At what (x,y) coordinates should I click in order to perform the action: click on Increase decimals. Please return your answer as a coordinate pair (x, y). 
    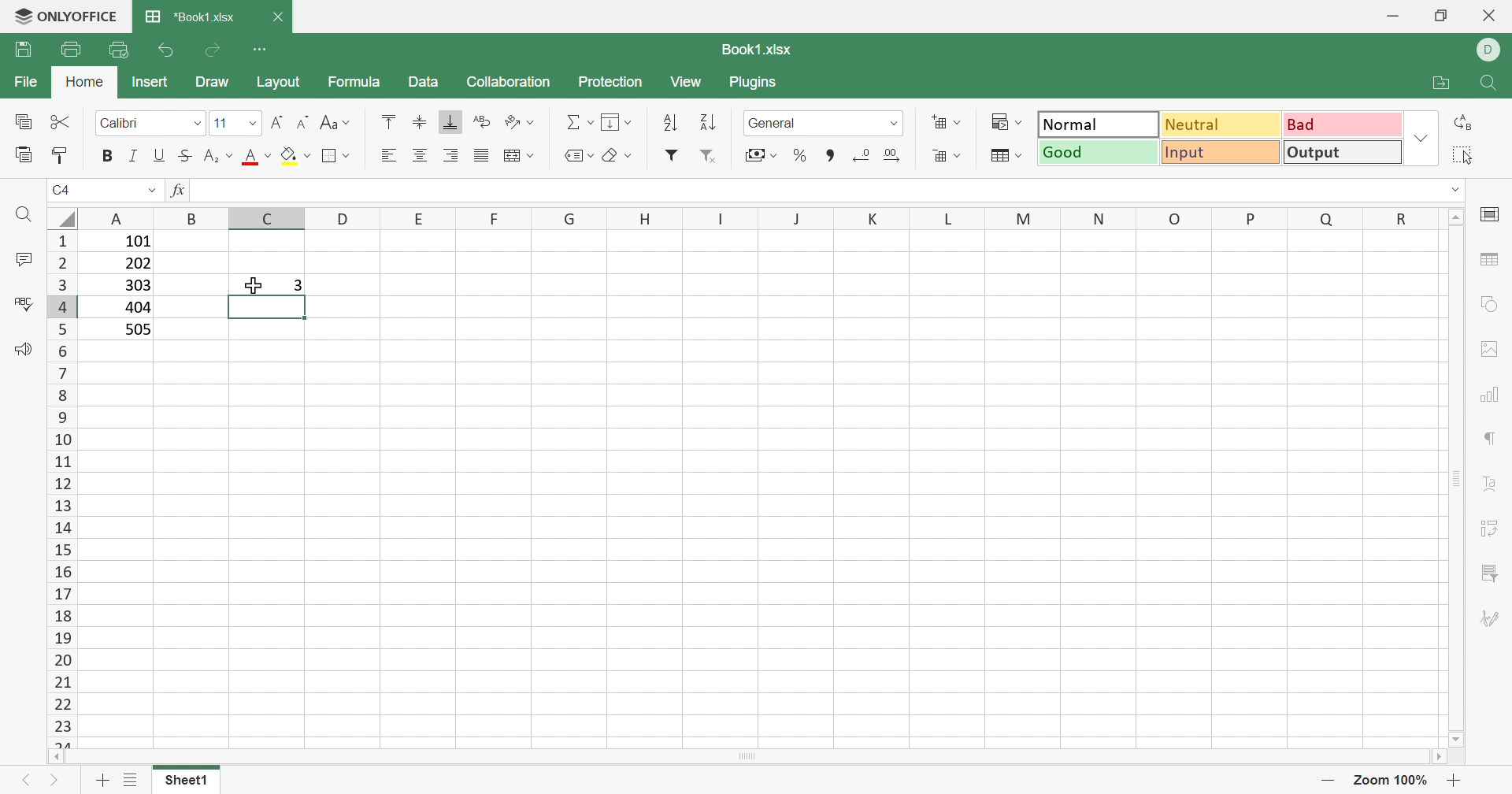
    Looking at the image, I should click on (896, 156).